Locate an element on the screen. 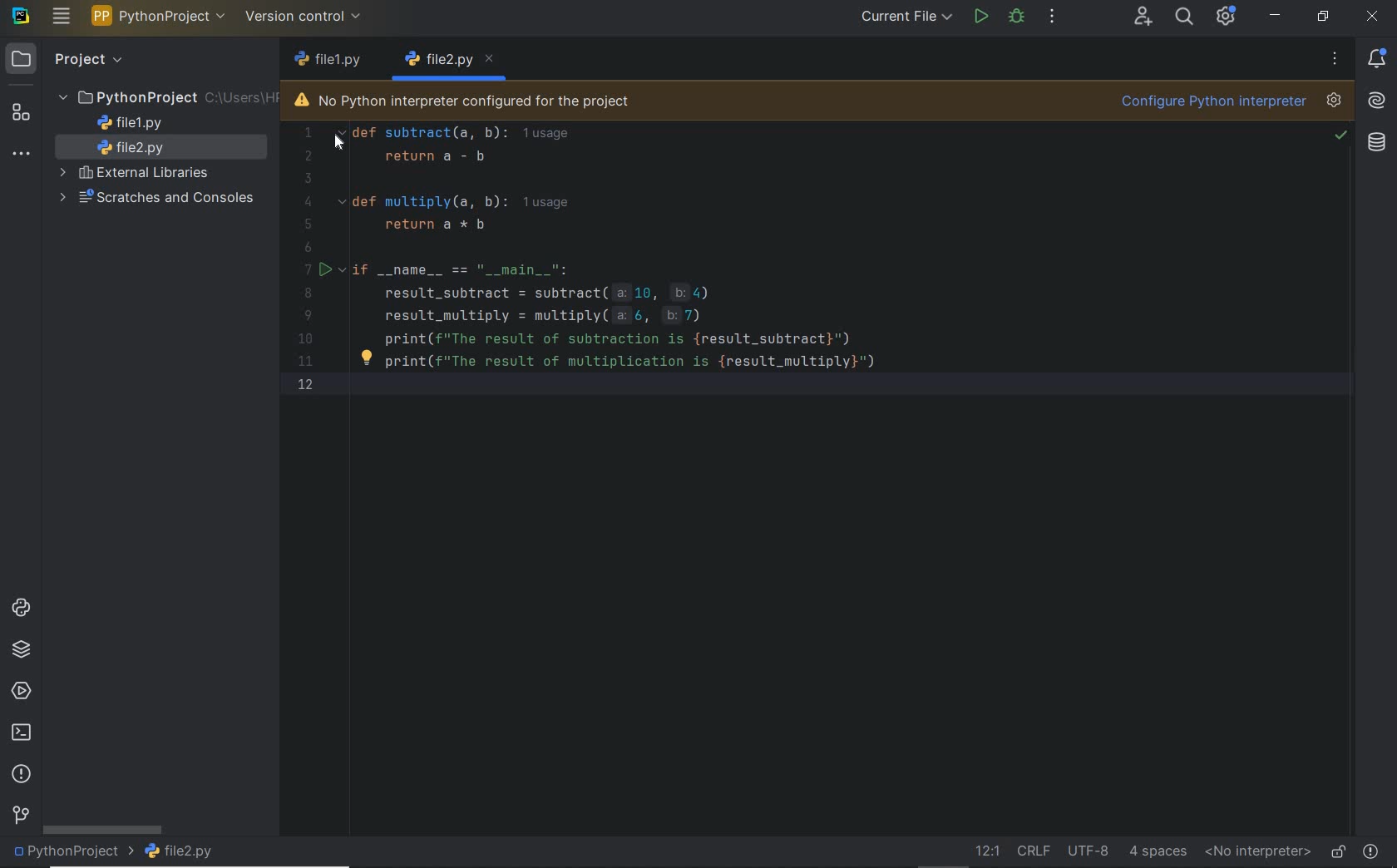  configure python interpreter is located at coordinates (1230, 102).